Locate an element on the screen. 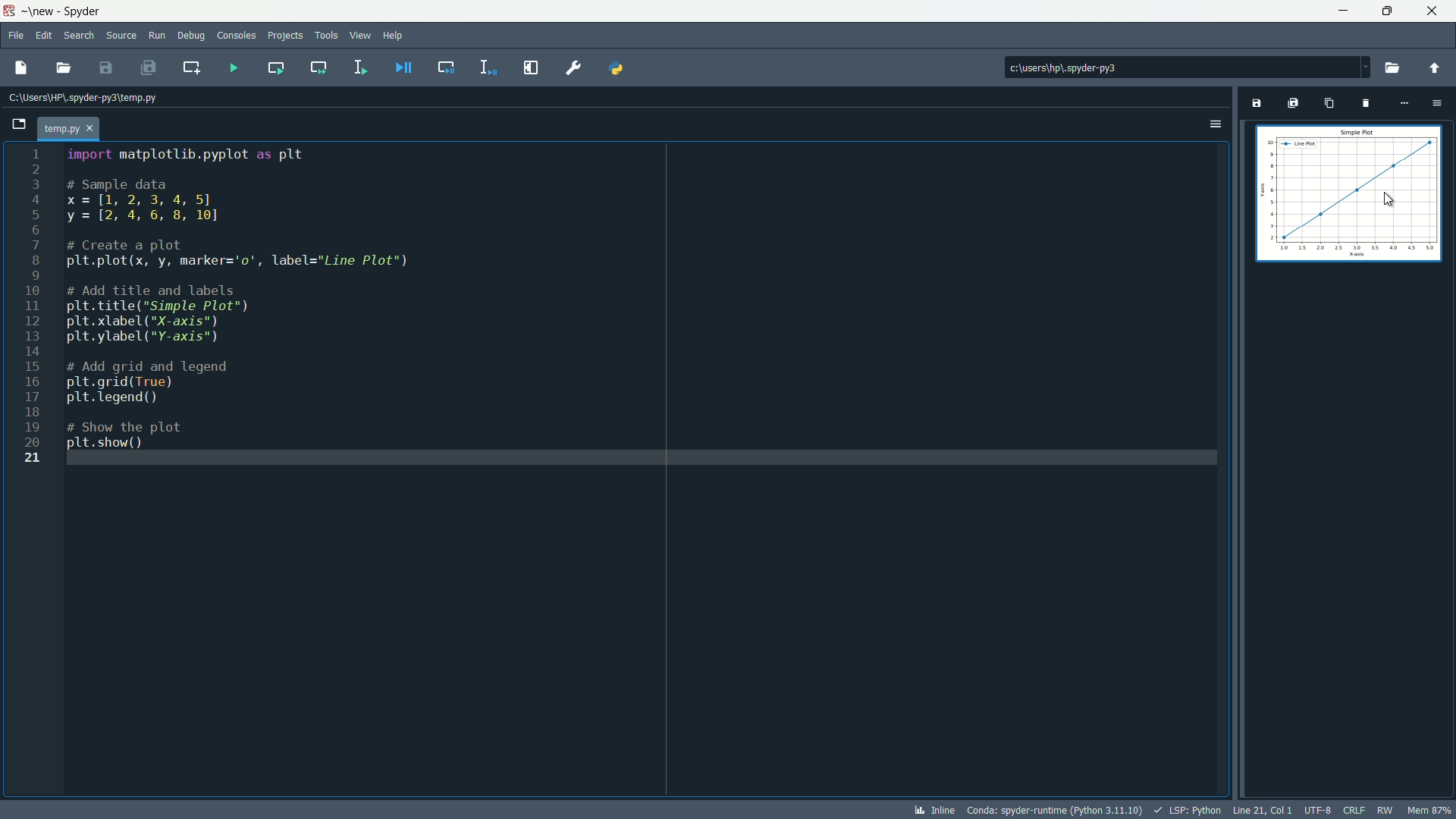 This screenshot has height=819, width=1456. PYTHONPATH manager is located at coordinates (623, 67).